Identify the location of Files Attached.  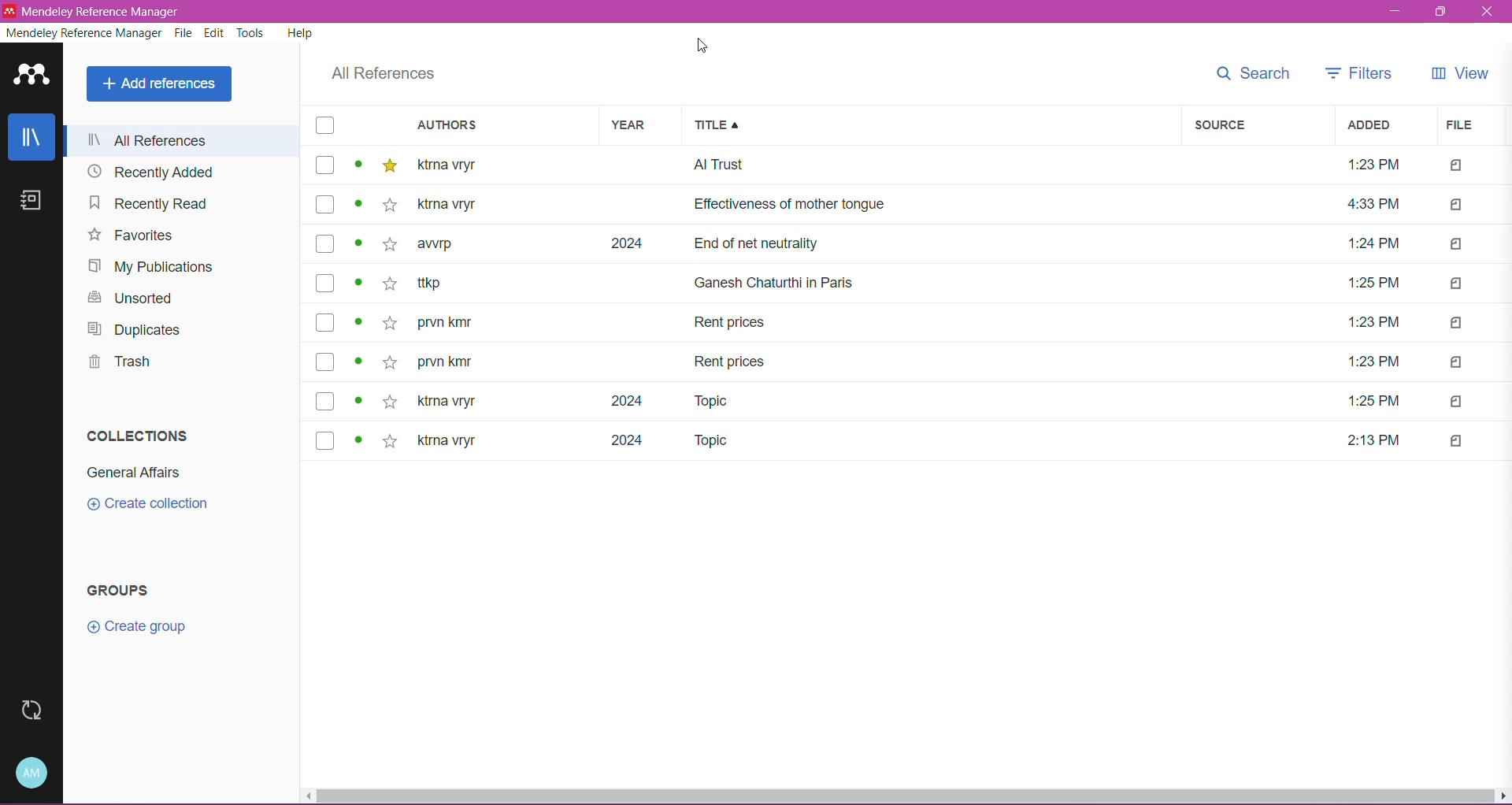
(1471, 302).